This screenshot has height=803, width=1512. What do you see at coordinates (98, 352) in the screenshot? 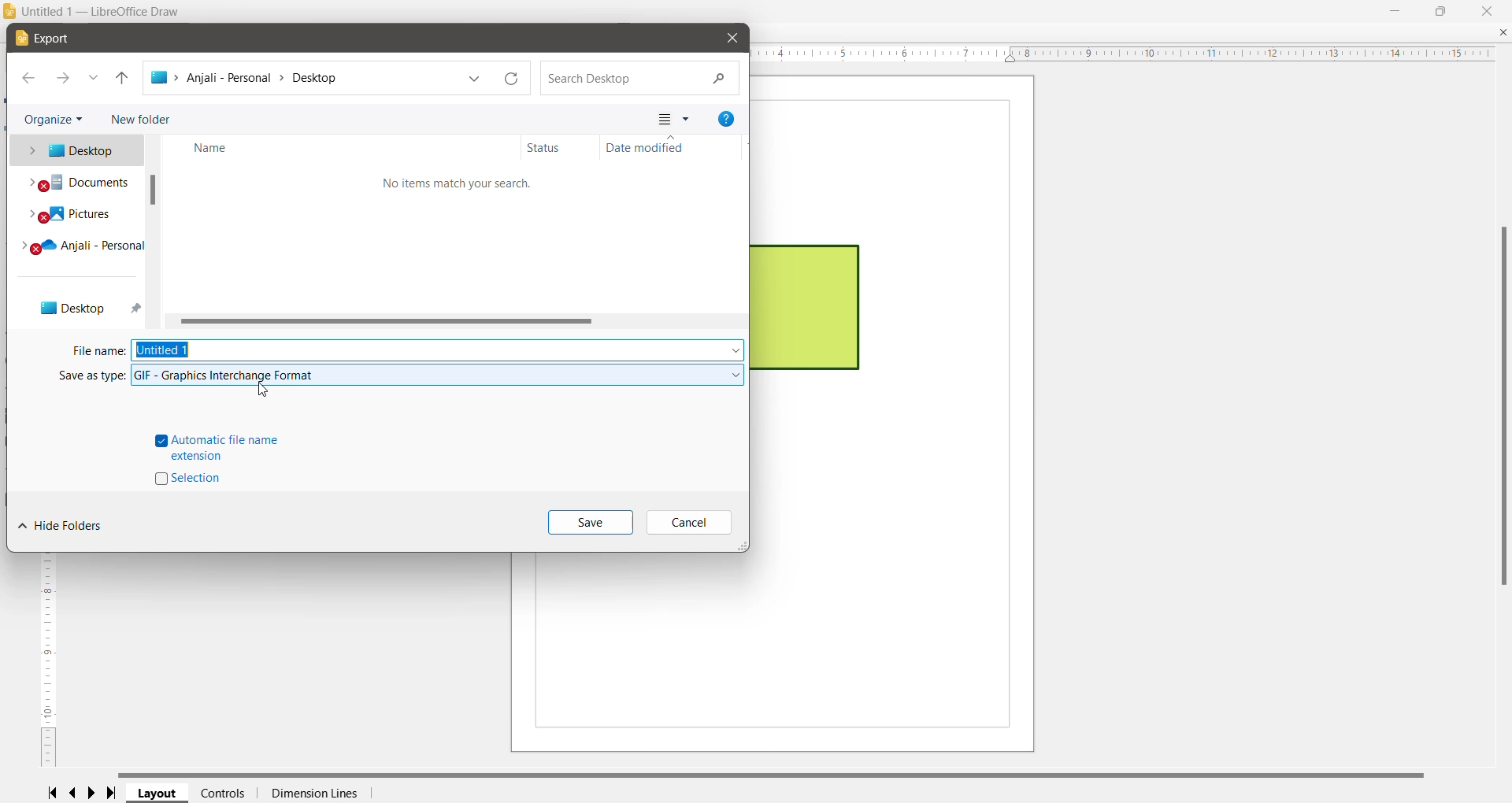
I see `File name` at bounding box center [98, 352].